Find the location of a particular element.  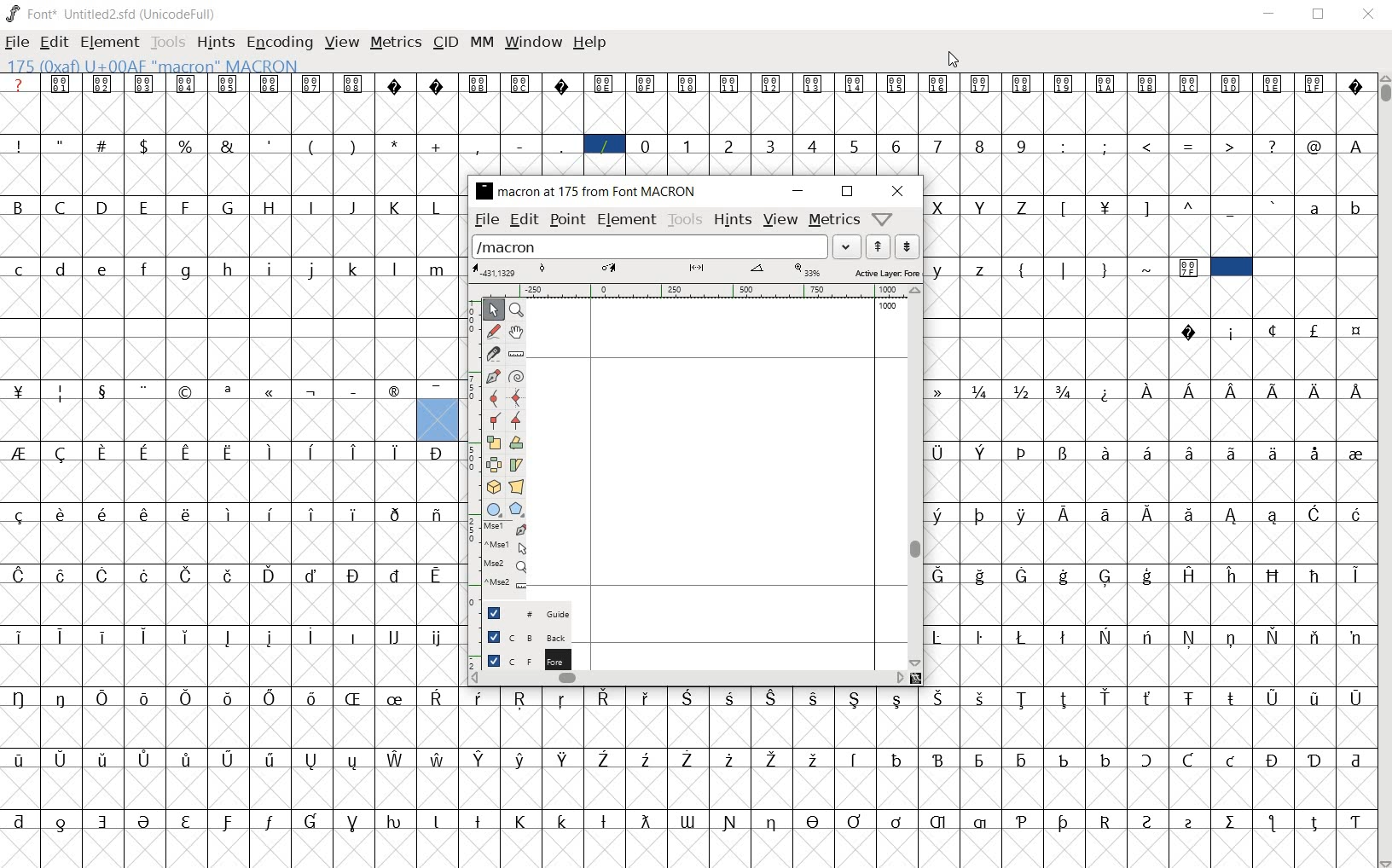

Symbol is located at coordinates (1354, 636).